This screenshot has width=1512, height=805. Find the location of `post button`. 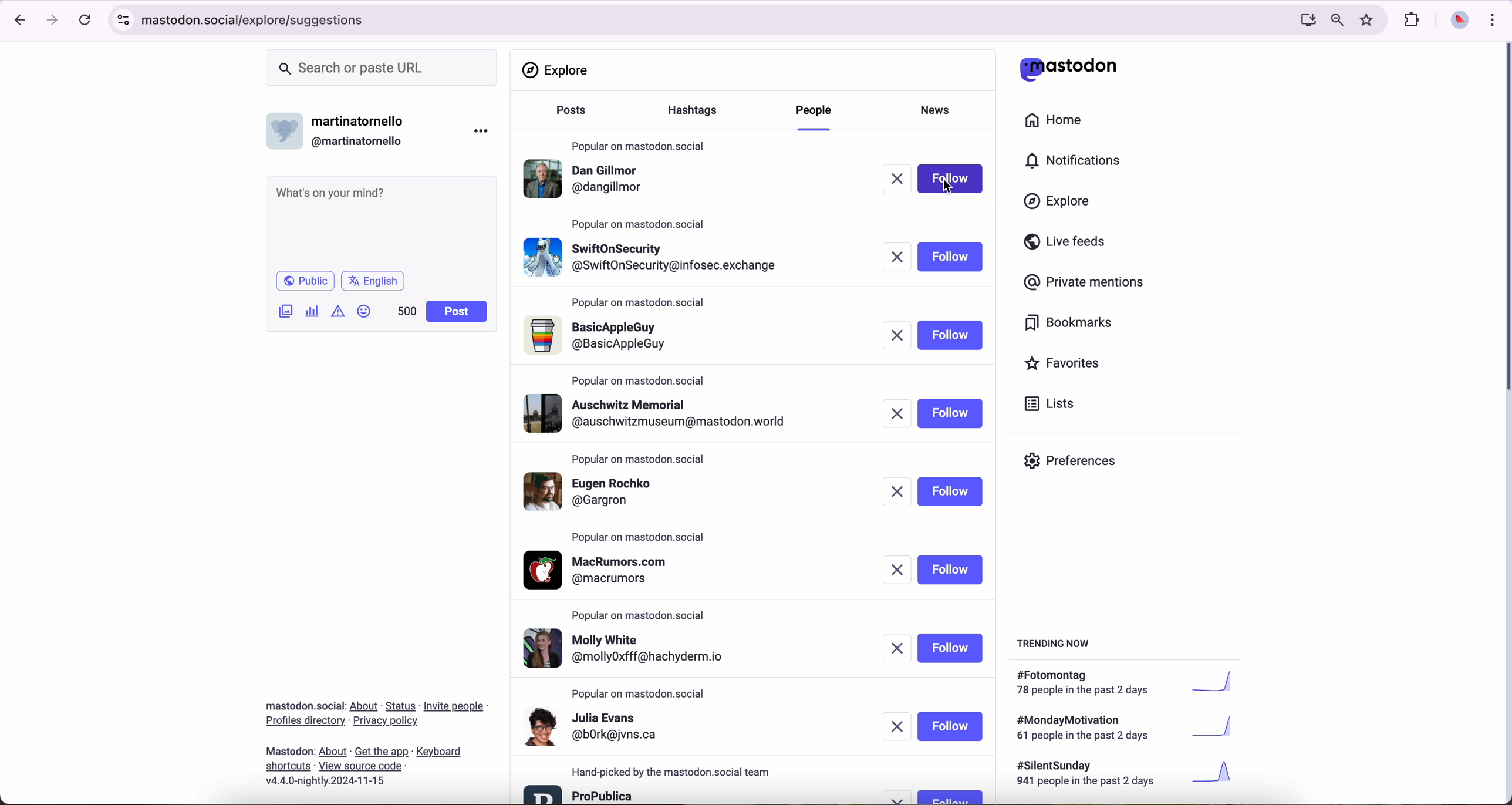

post button is located at coordinates (457, 312).